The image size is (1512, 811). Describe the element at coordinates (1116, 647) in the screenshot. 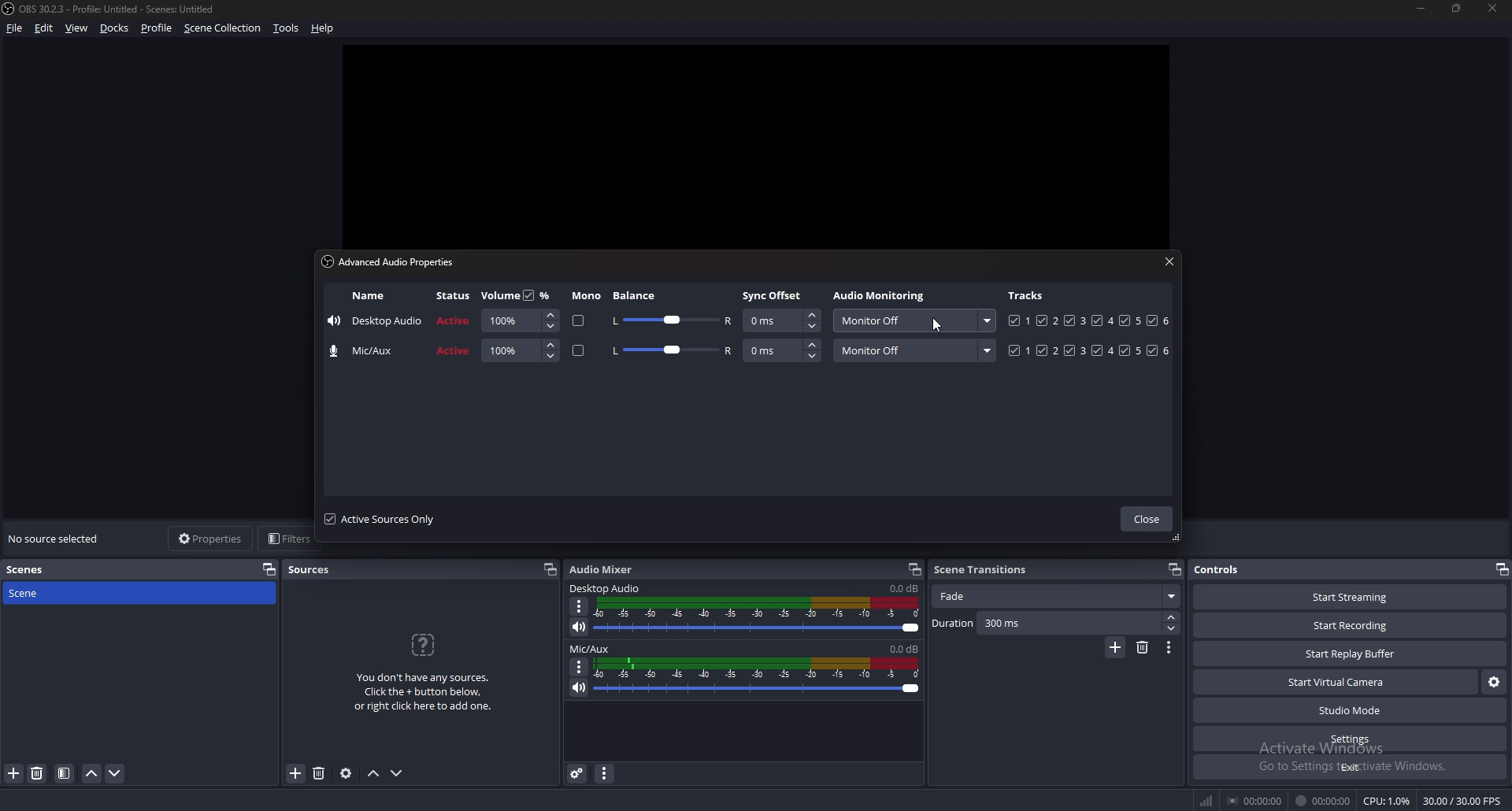

I see `add transition` at that location.